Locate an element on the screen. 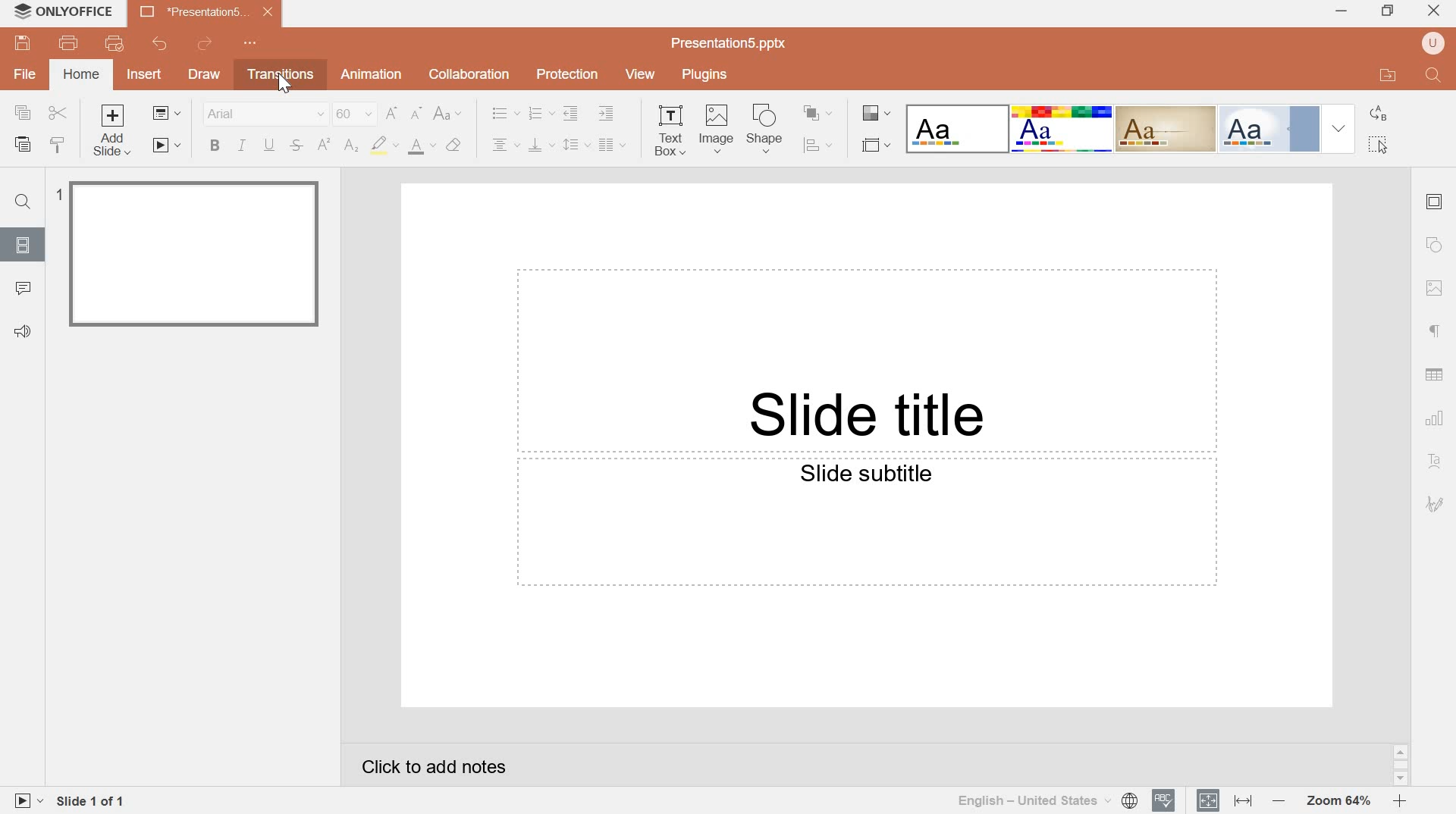 Image resolution: width=1456 pixels, height=814 pixels. user is located at coordinates (1435, 44).